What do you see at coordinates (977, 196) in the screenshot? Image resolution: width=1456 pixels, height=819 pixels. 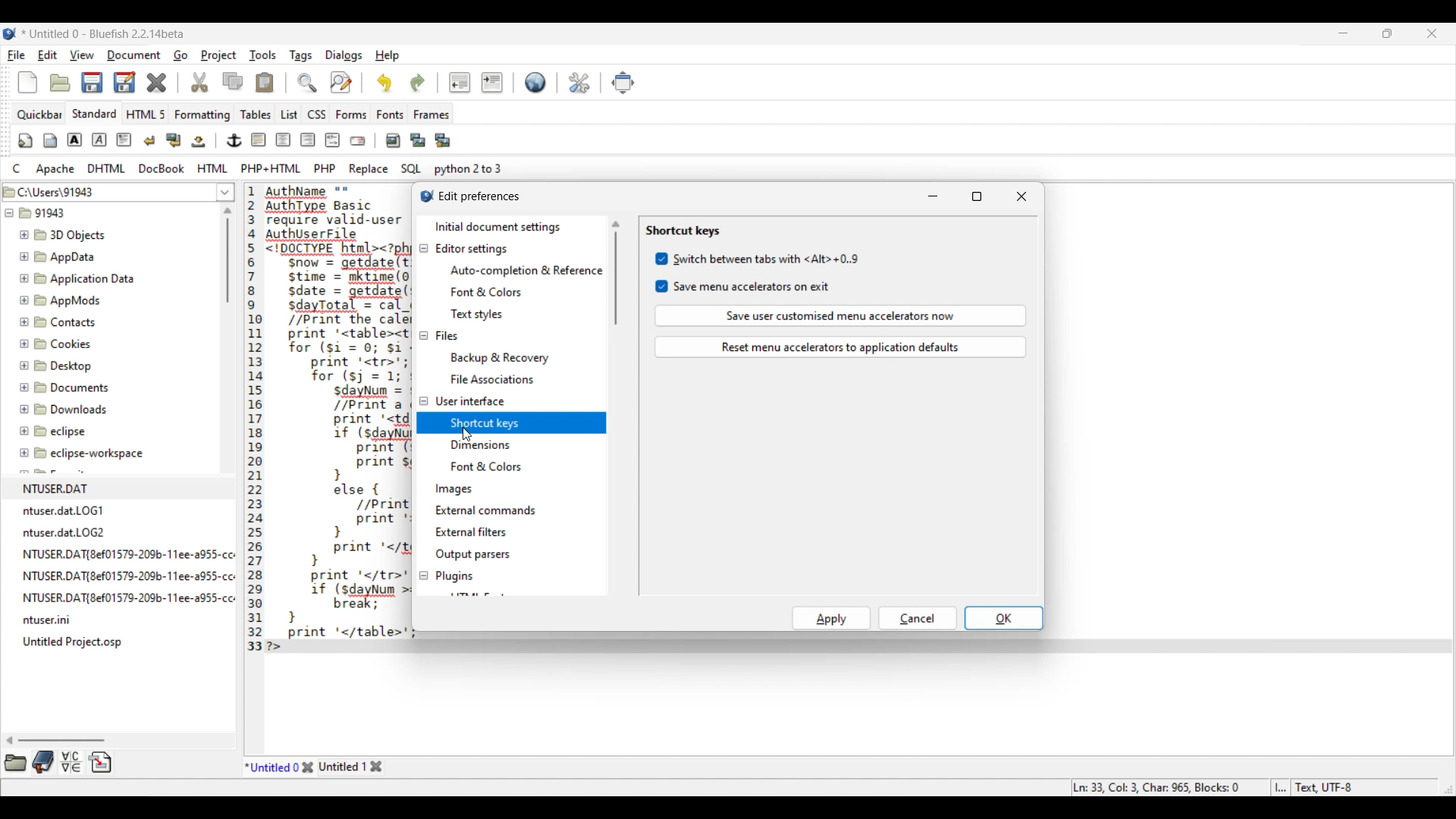 I see `Maximize` at bounding box center [977, 196].